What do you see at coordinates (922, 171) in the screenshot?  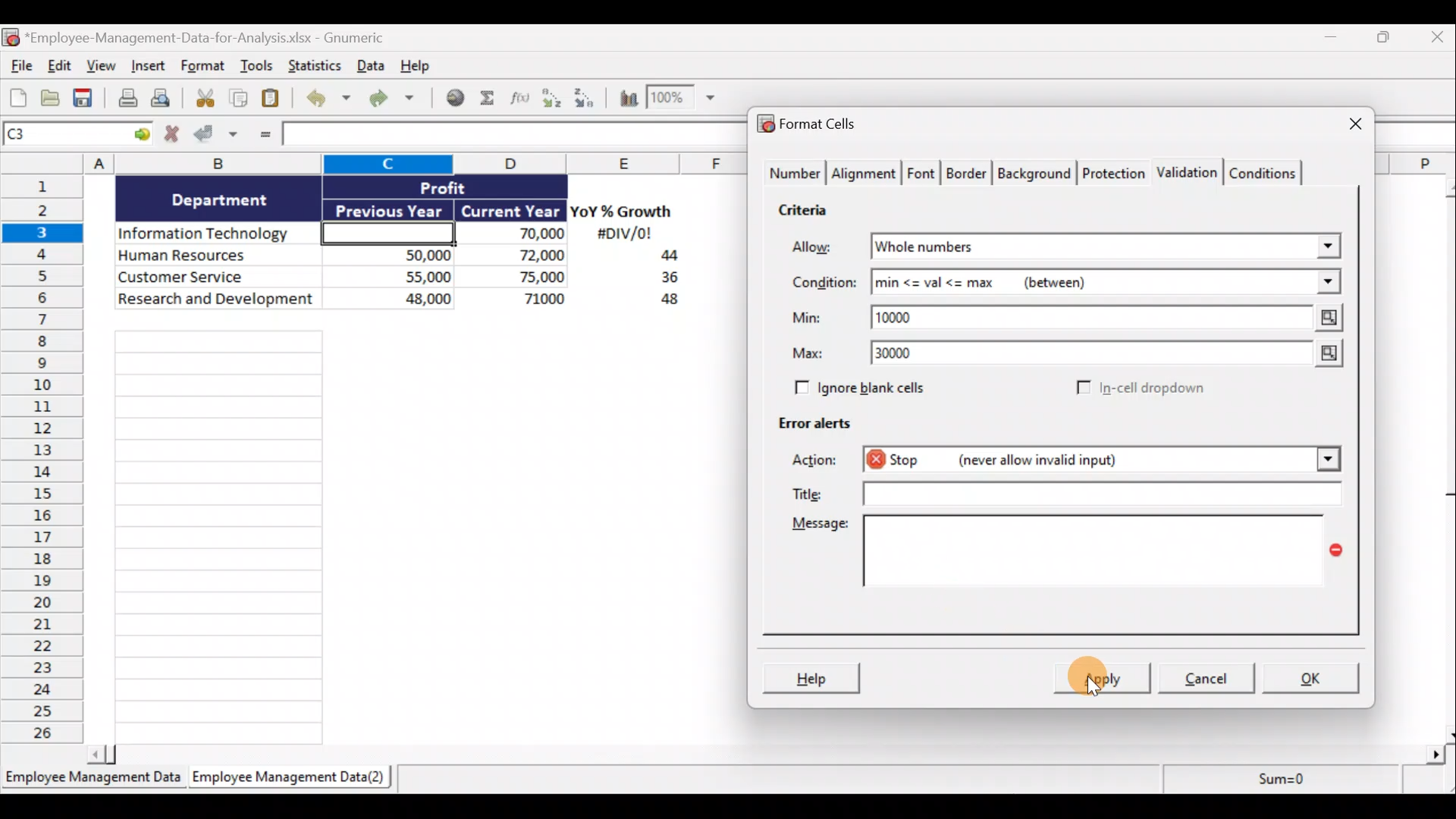 I see `Font` at bounding box center [922, 171].